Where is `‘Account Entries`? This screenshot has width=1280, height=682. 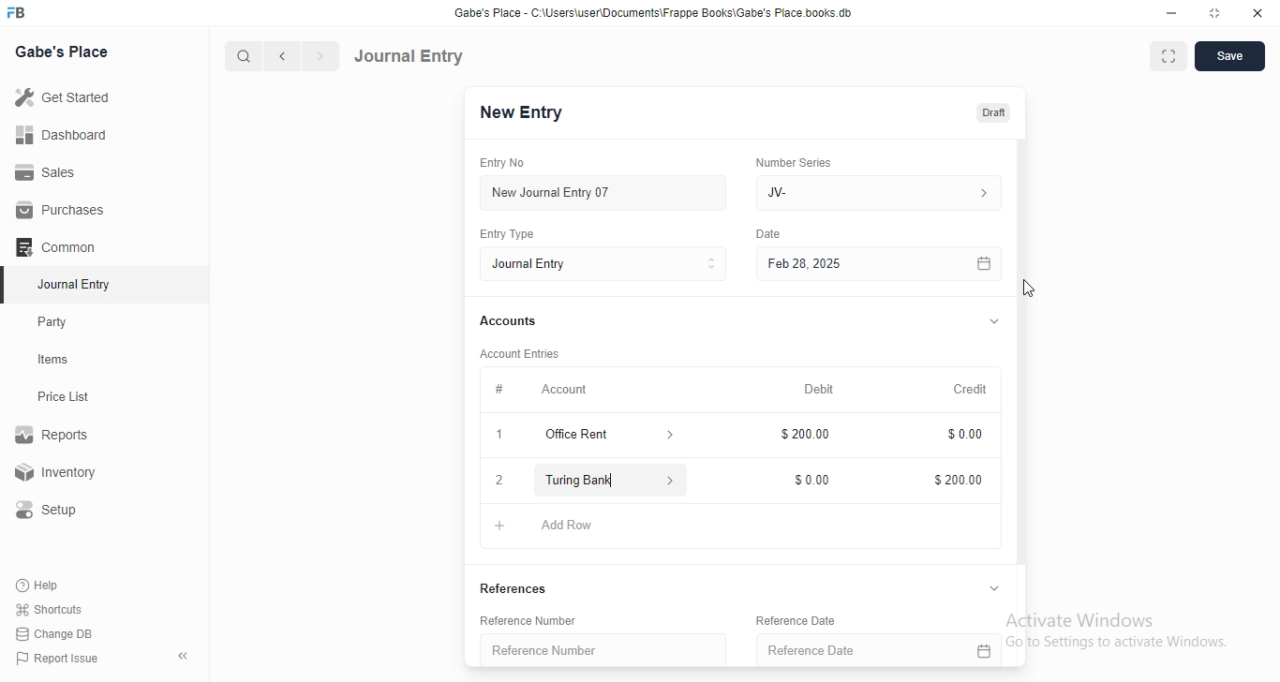
‘Account Entries is located at coordinates (521, 353).